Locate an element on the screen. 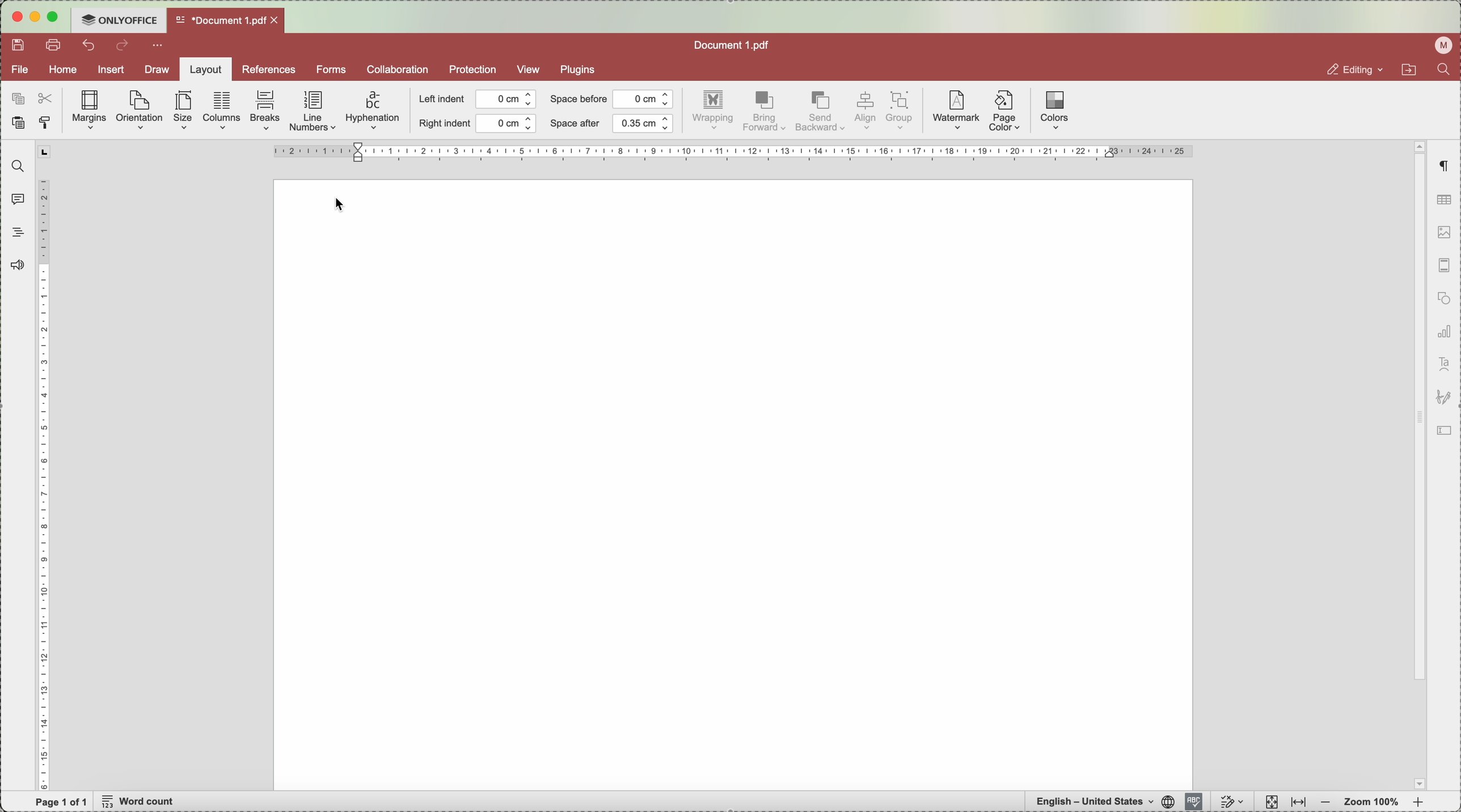  print is located at coordinates (56, 46).